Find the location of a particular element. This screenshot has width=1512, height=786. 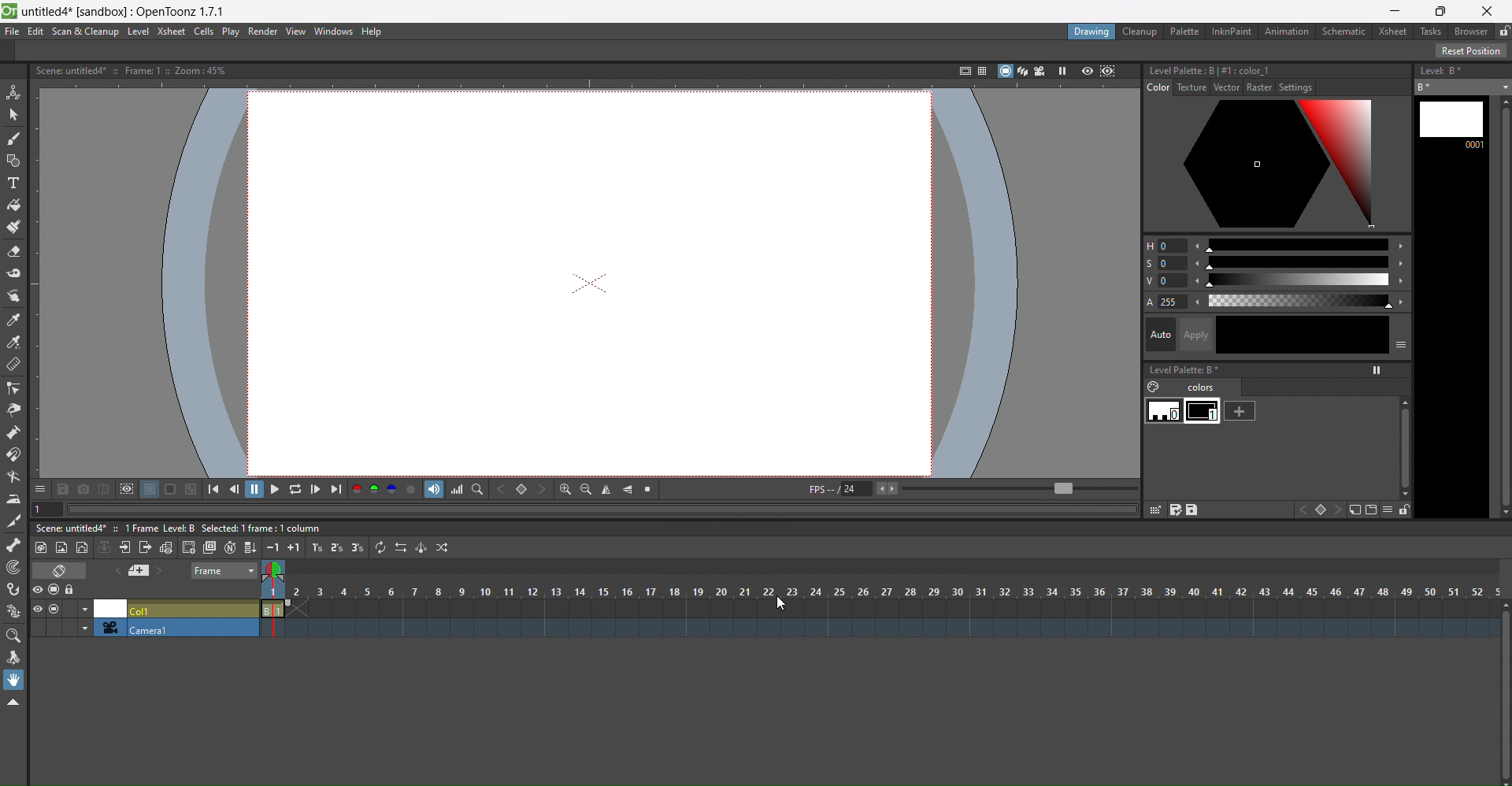

 is located at coordinates (61, 570).